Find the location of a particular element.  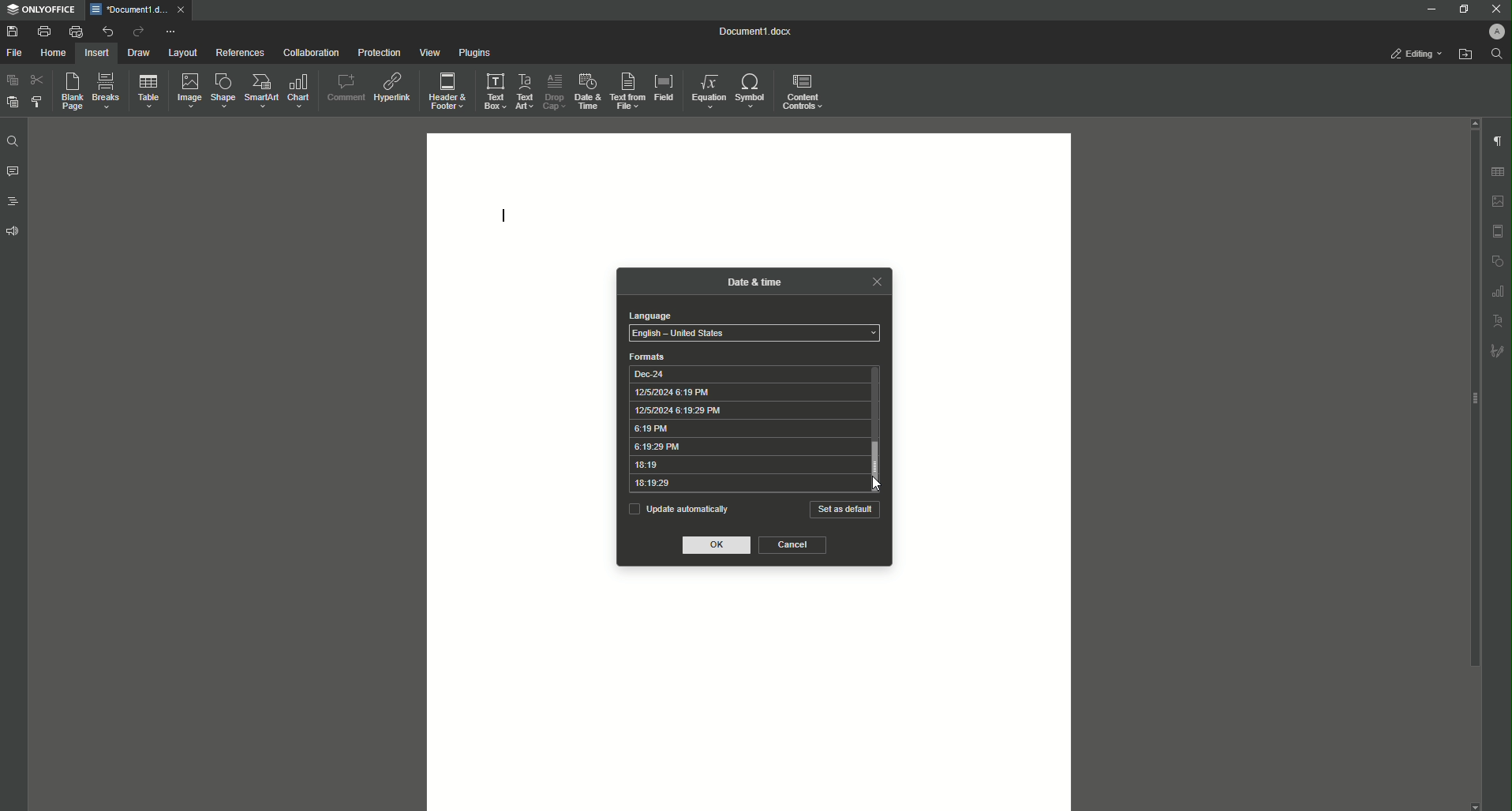

Find is located at coordinates (1496, 54).